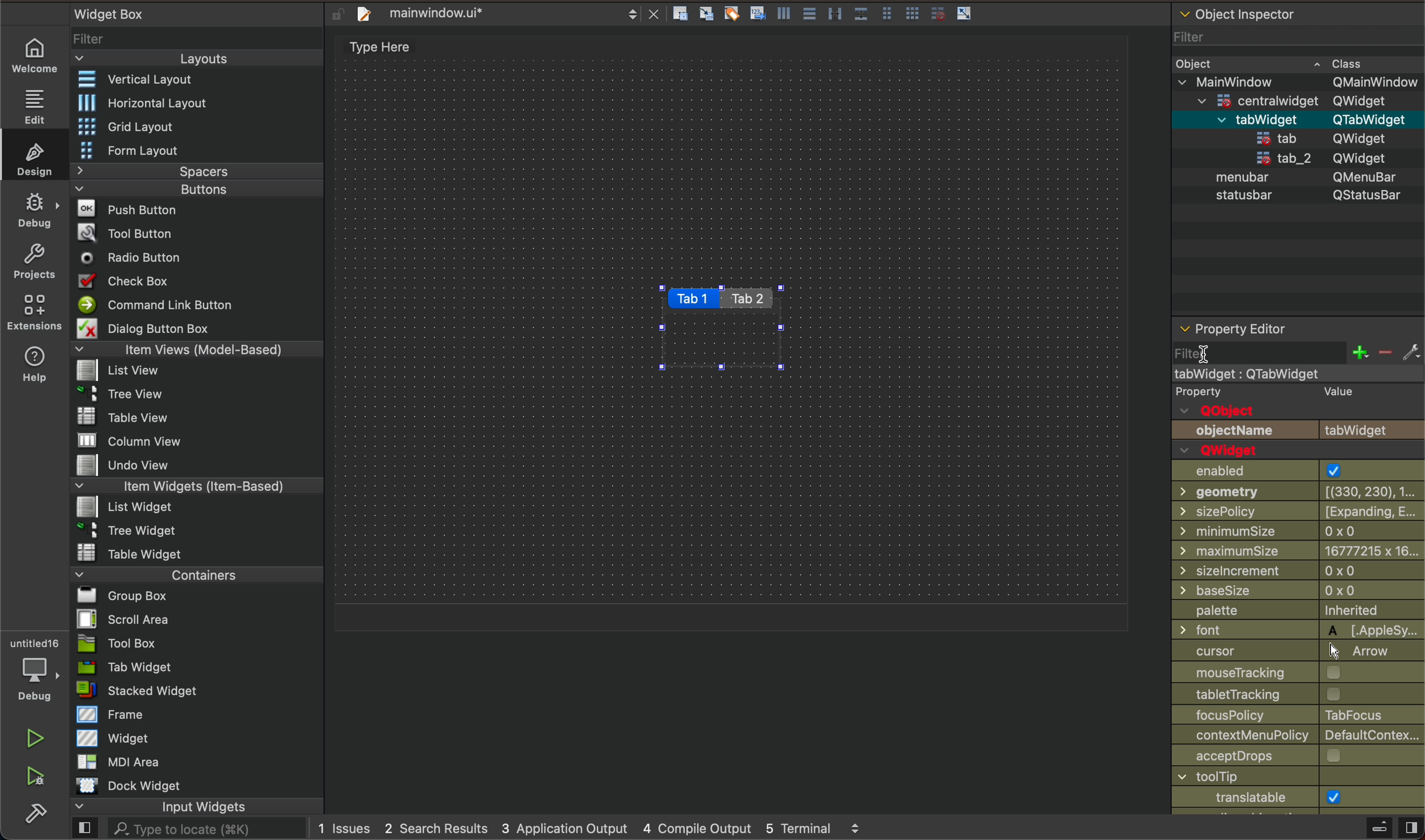  Describe the element at coordinates (1296, 138) in the screenshot. I see `statusbar QStatusBar` at that location.